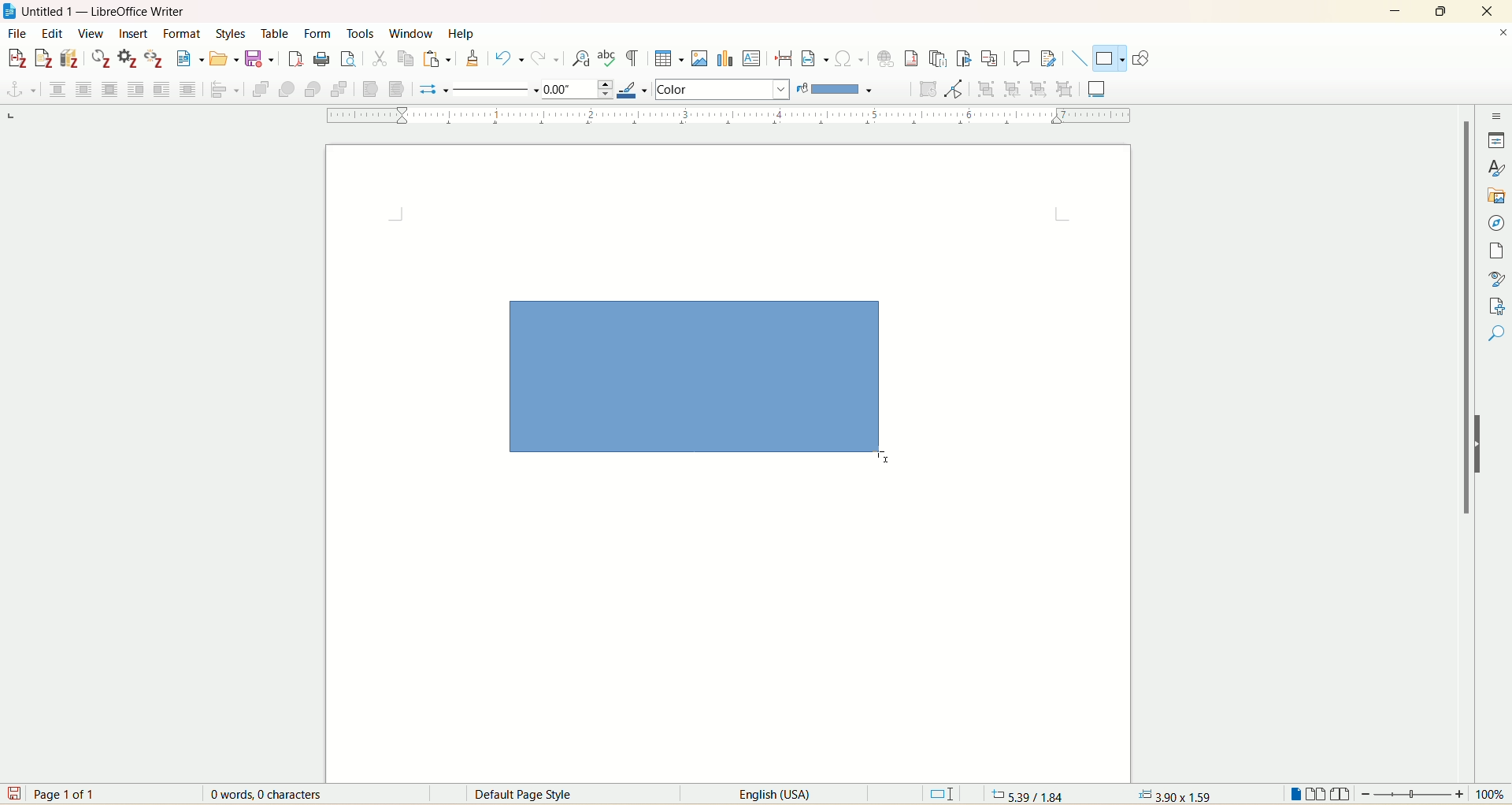  I want to click on insert caption, so click(1097, 87).